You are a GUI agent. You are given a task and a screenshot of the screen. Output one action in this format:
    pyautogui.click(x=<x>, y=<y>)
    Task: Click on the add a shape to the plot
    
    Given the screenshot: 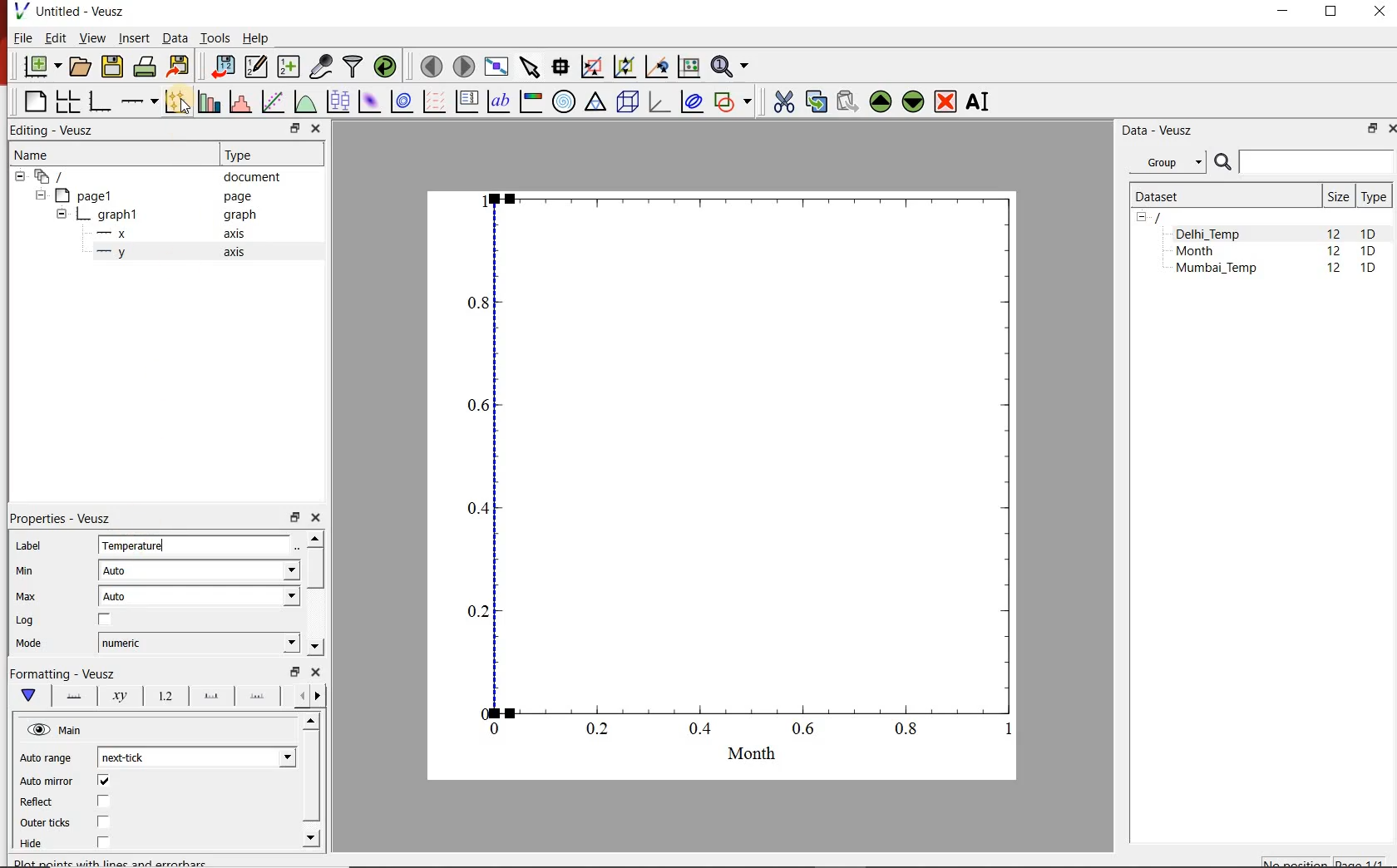 What is the action you would take?
    pyautogui.click(x=733, y=103)
    